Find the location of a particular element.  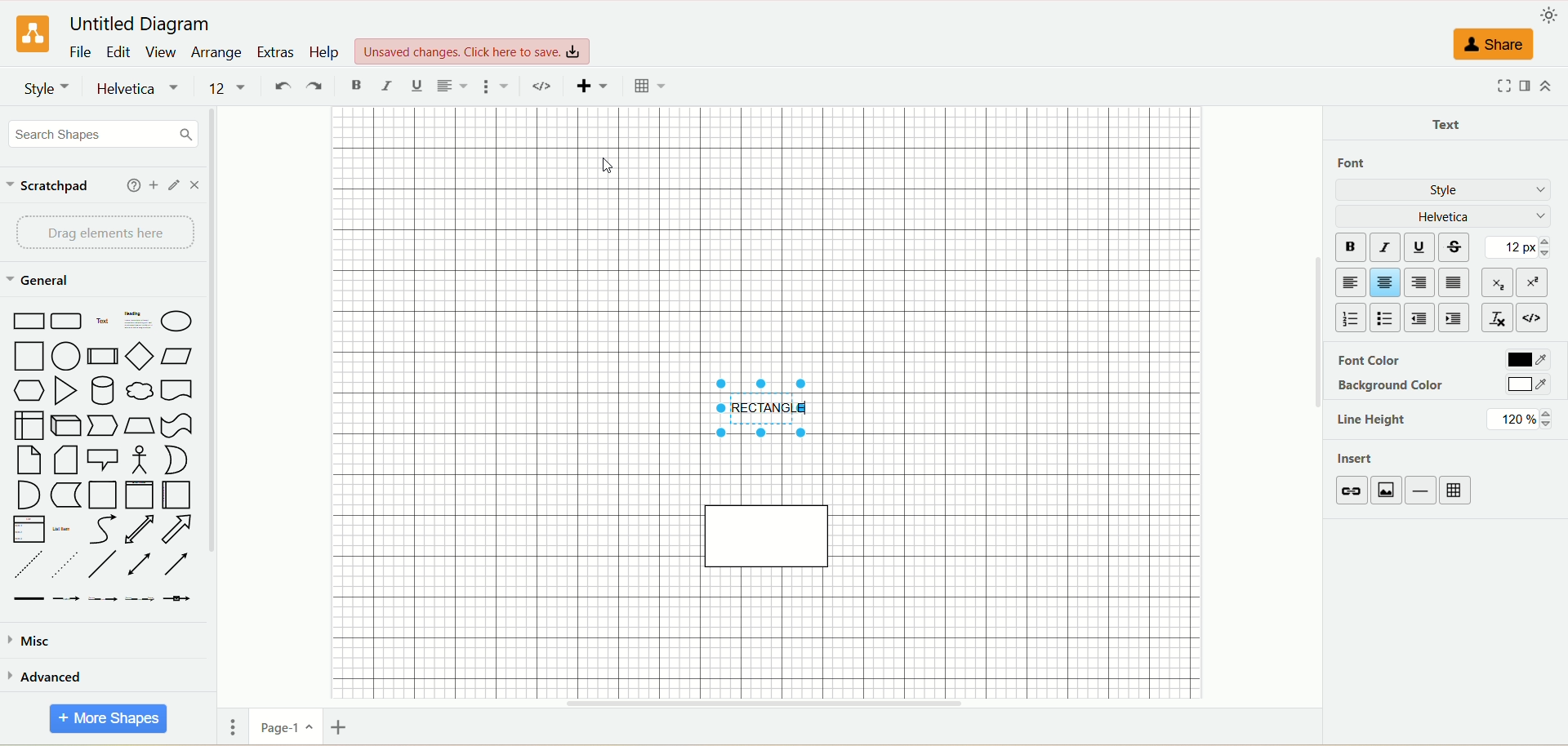

rounded rectangle is located at coordinates (63, 321).